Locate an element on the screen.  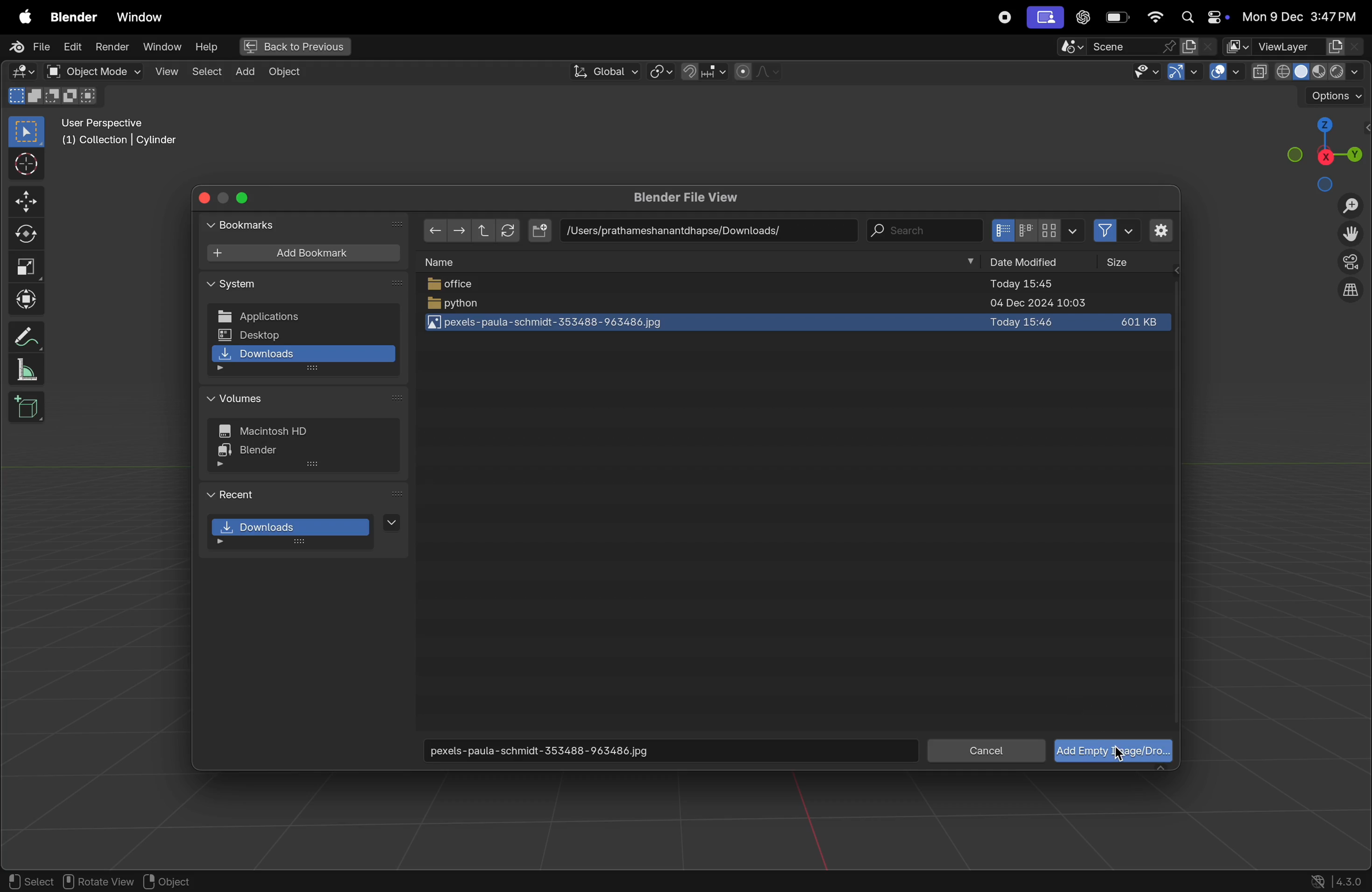
user perspective is located at coordinates (123, 134).